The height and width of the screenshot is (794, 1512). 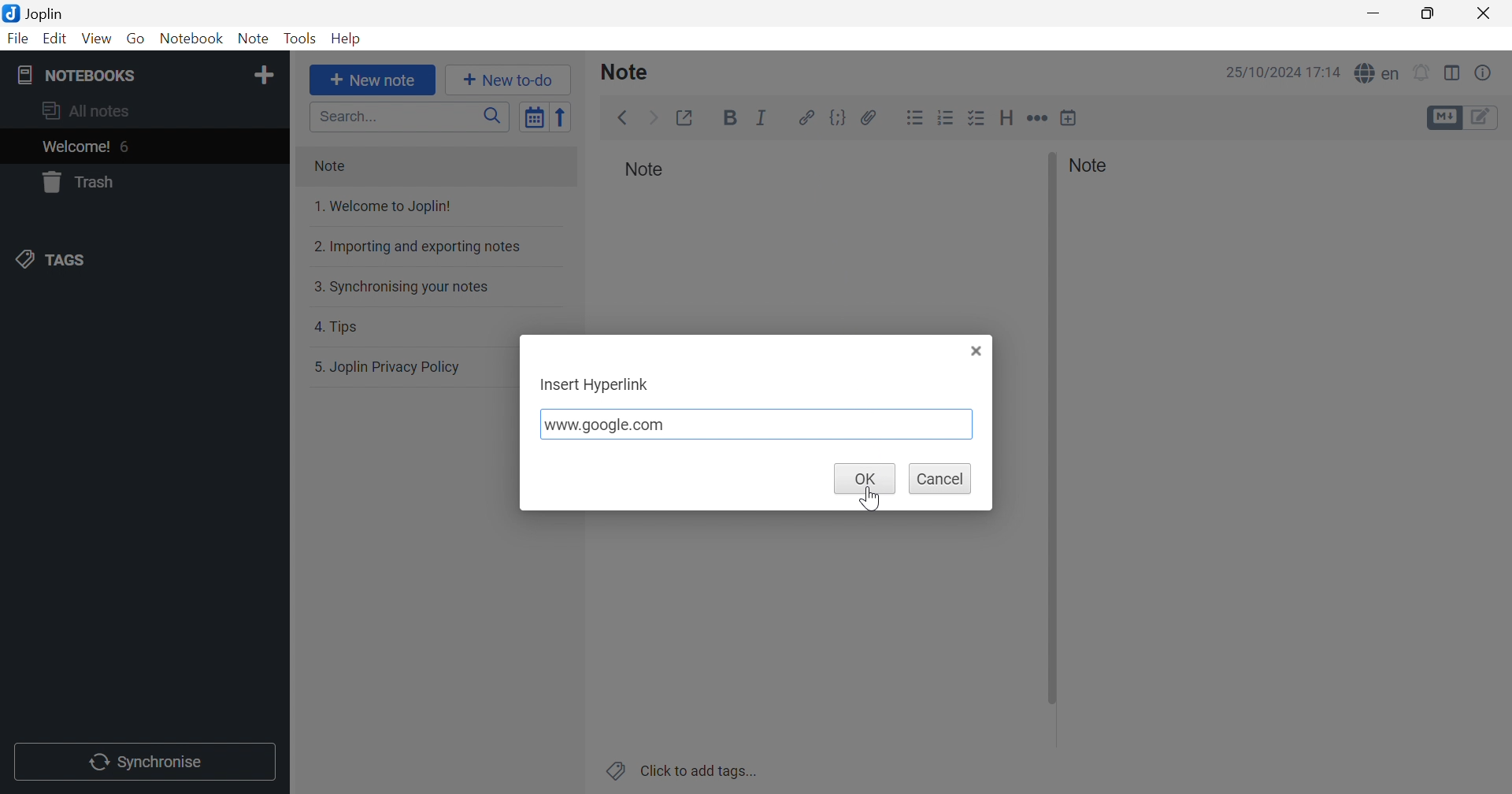 What do you see at coordinates (839, 117) in the screenshot?
I see `Code` at bounding box center [839, 117].